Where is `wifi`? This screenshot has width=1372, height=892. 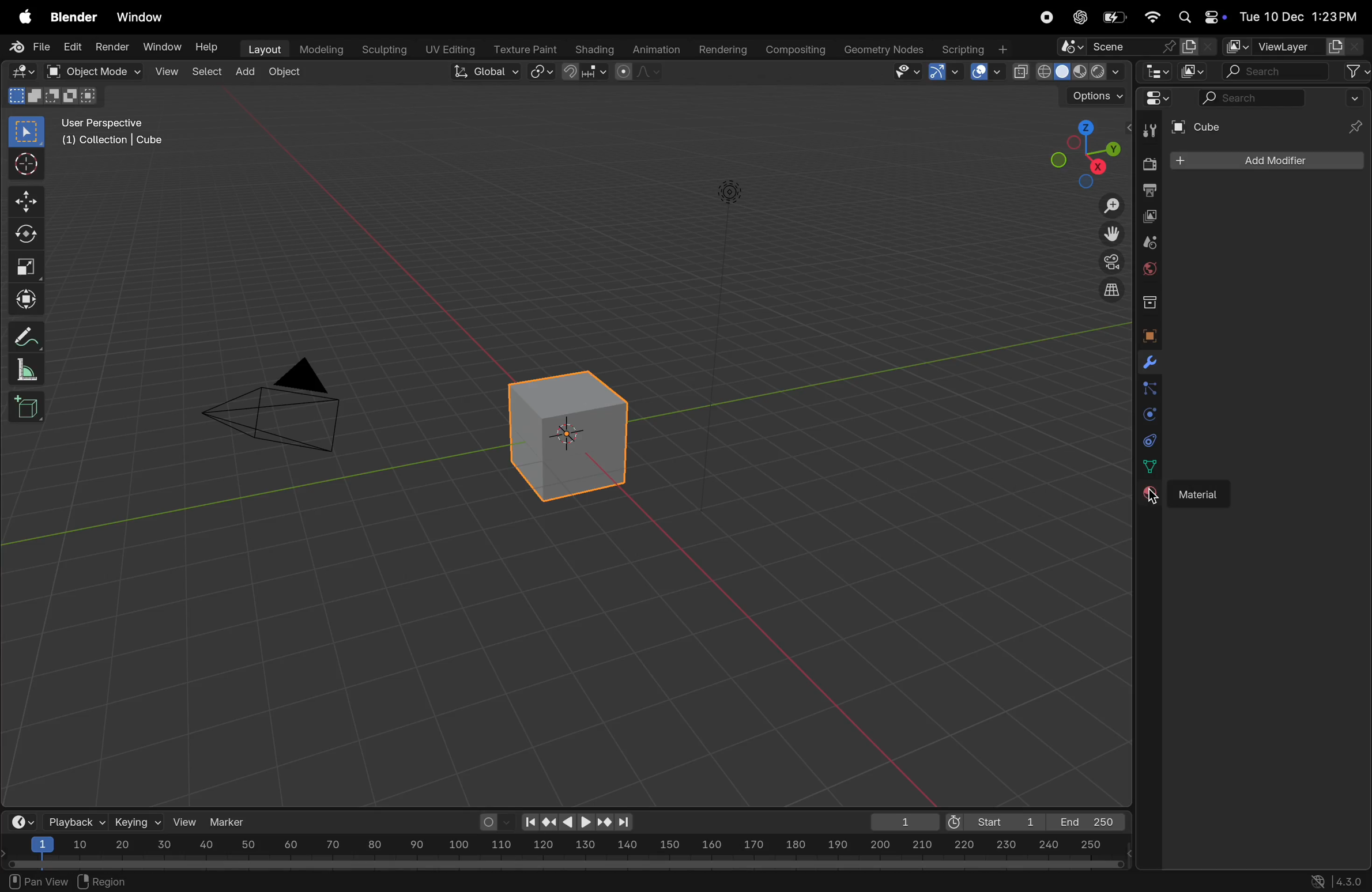
wifi is located at coordinates (1152, 17).